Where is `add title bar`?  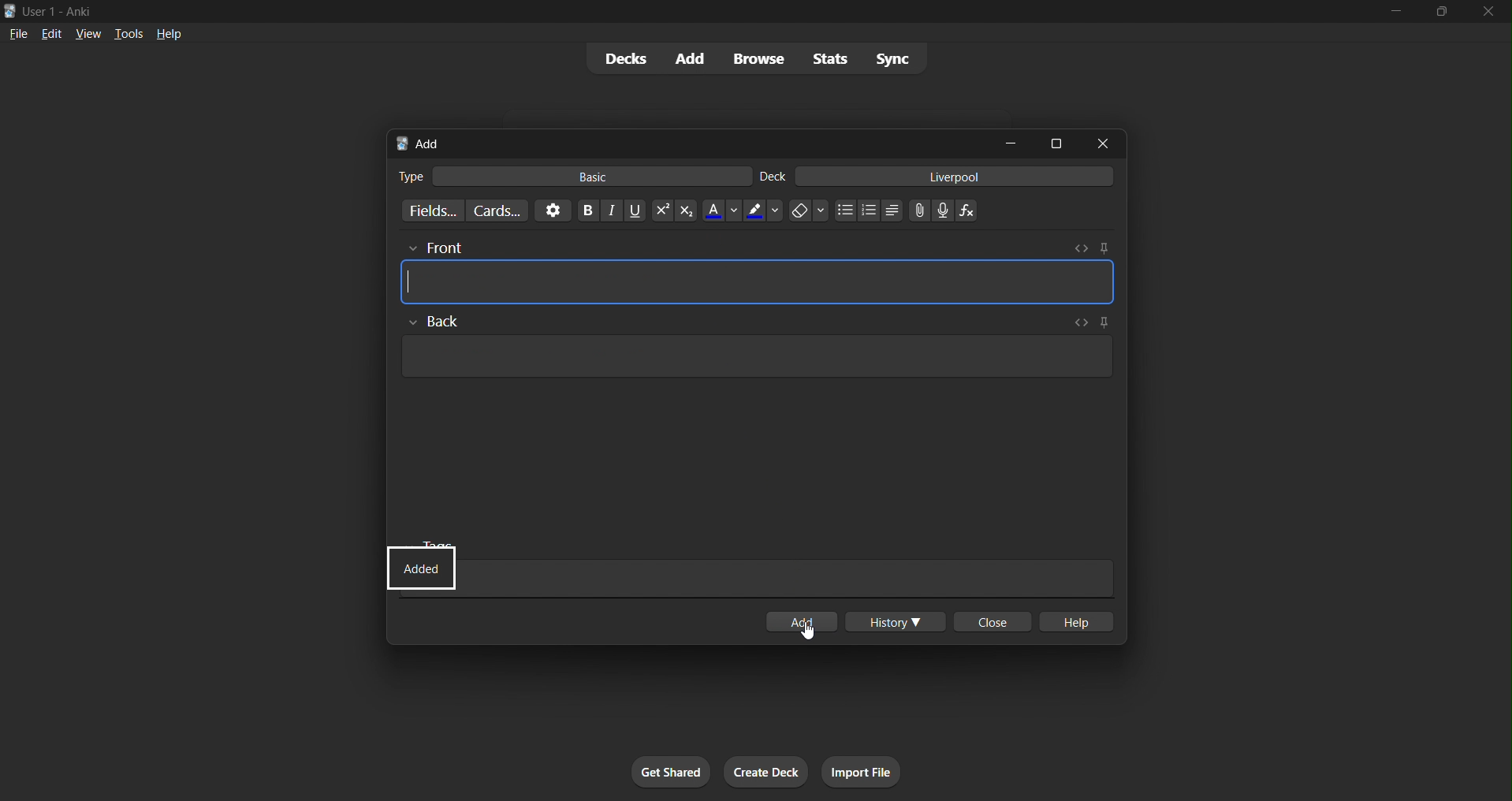
add title bar is located at coordinates (680, 141).